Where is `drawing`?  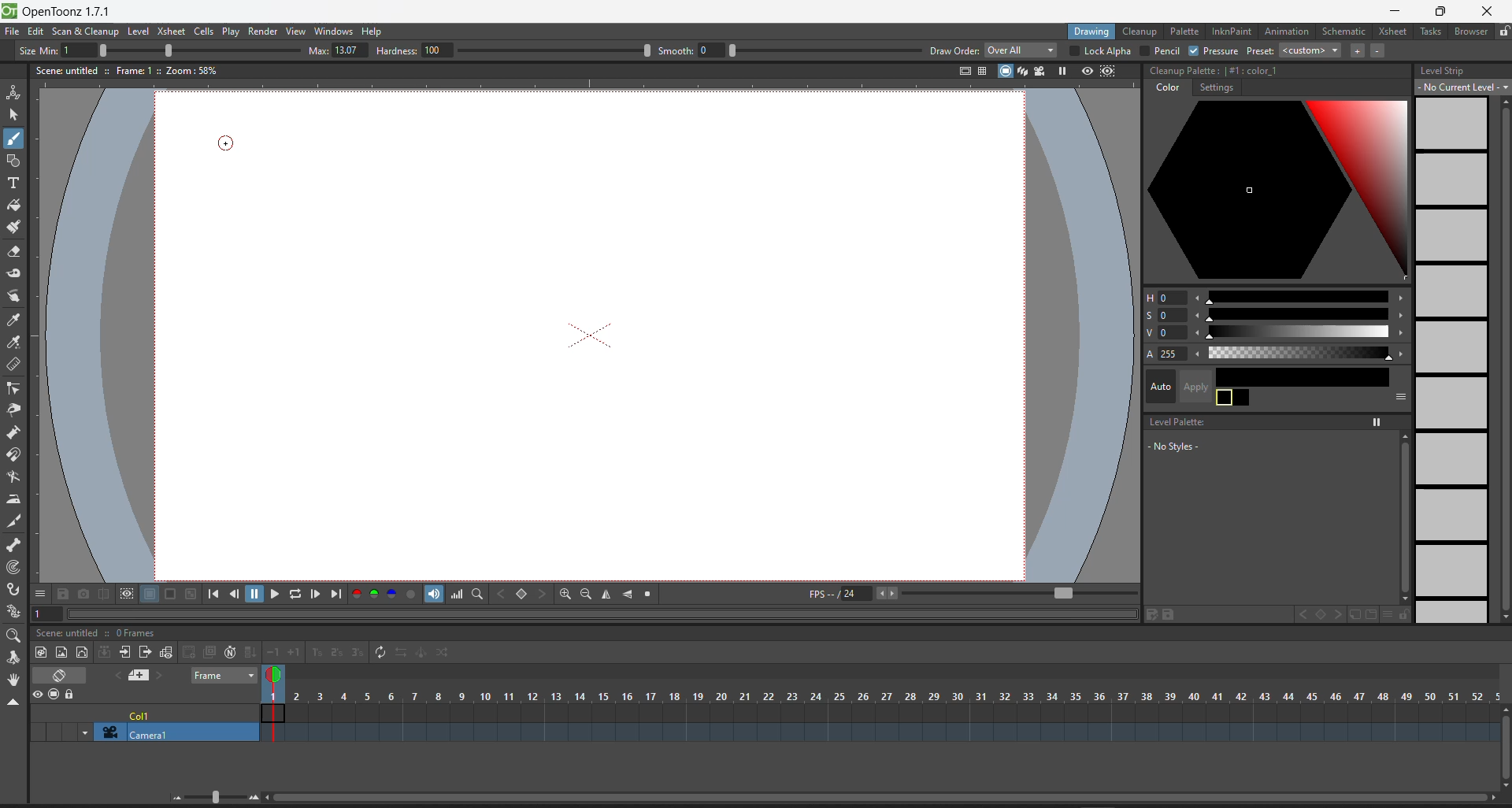 drawing is located at coordinates (1093, 32).